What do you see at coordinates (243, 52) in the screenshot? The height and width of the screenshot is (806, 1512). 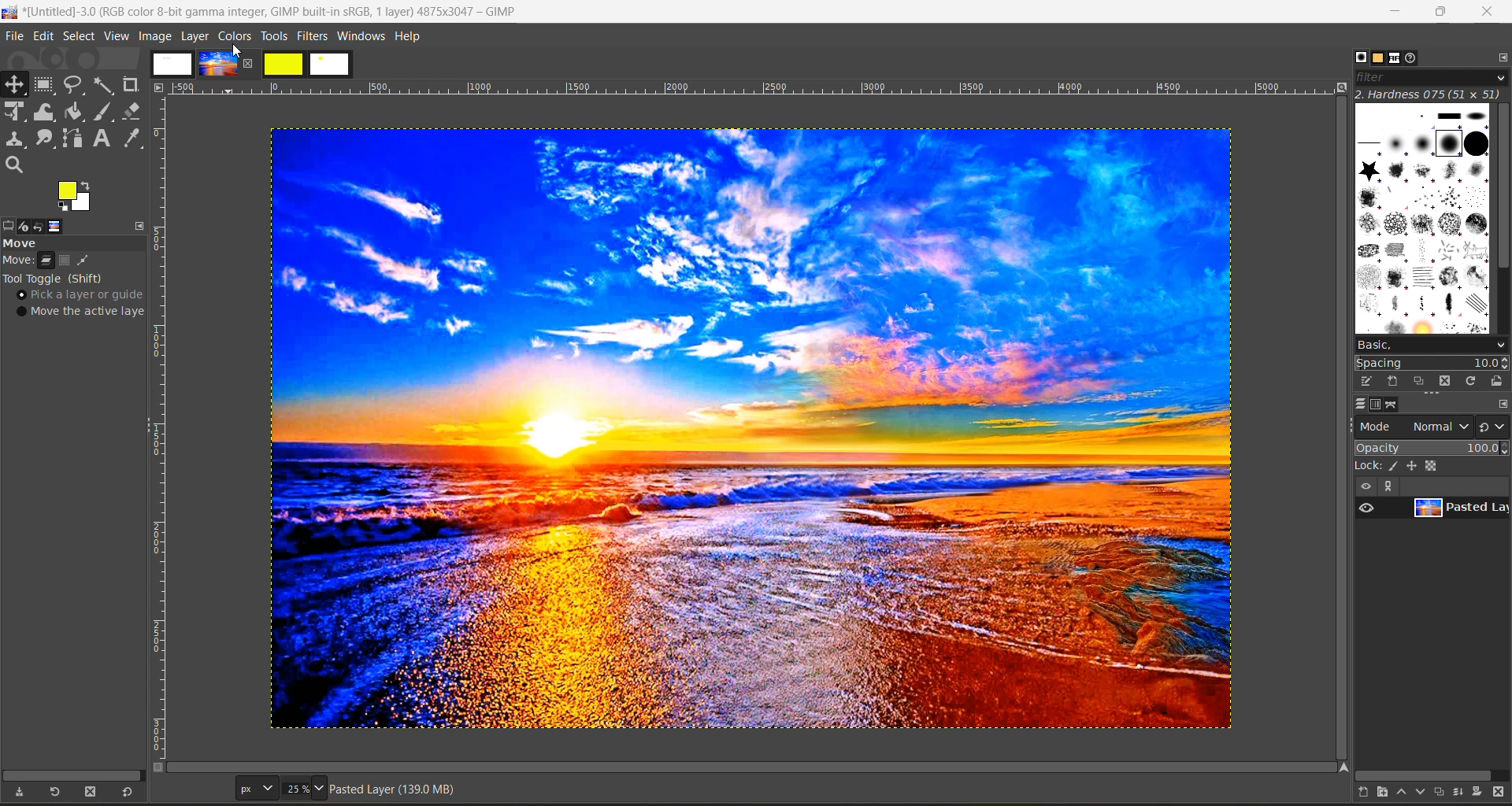 I see `cursor` at bounding box center [243, 52].